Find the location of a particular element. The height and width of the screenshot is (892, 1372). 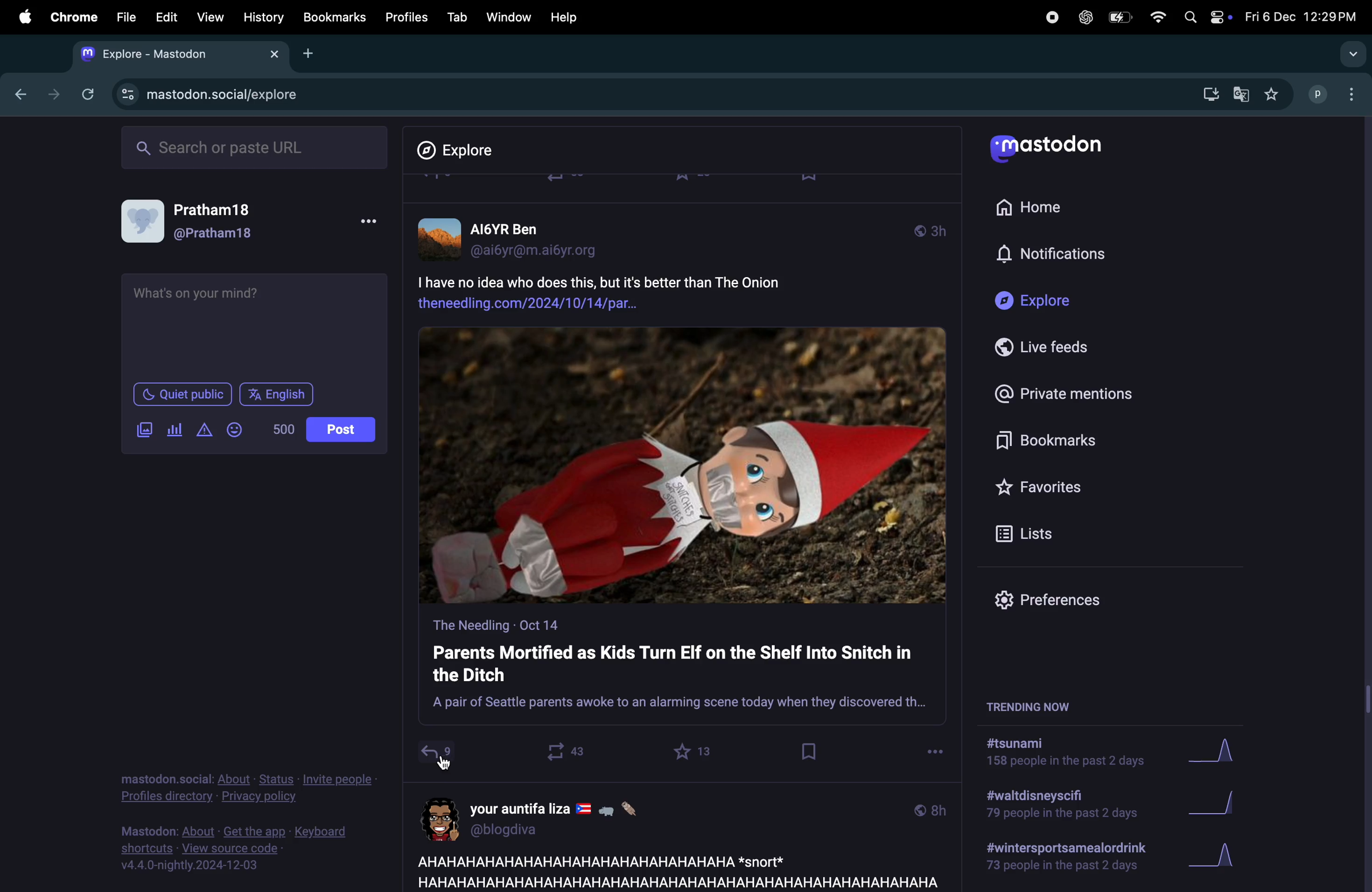

battery is located at coordinates (1118, 18).